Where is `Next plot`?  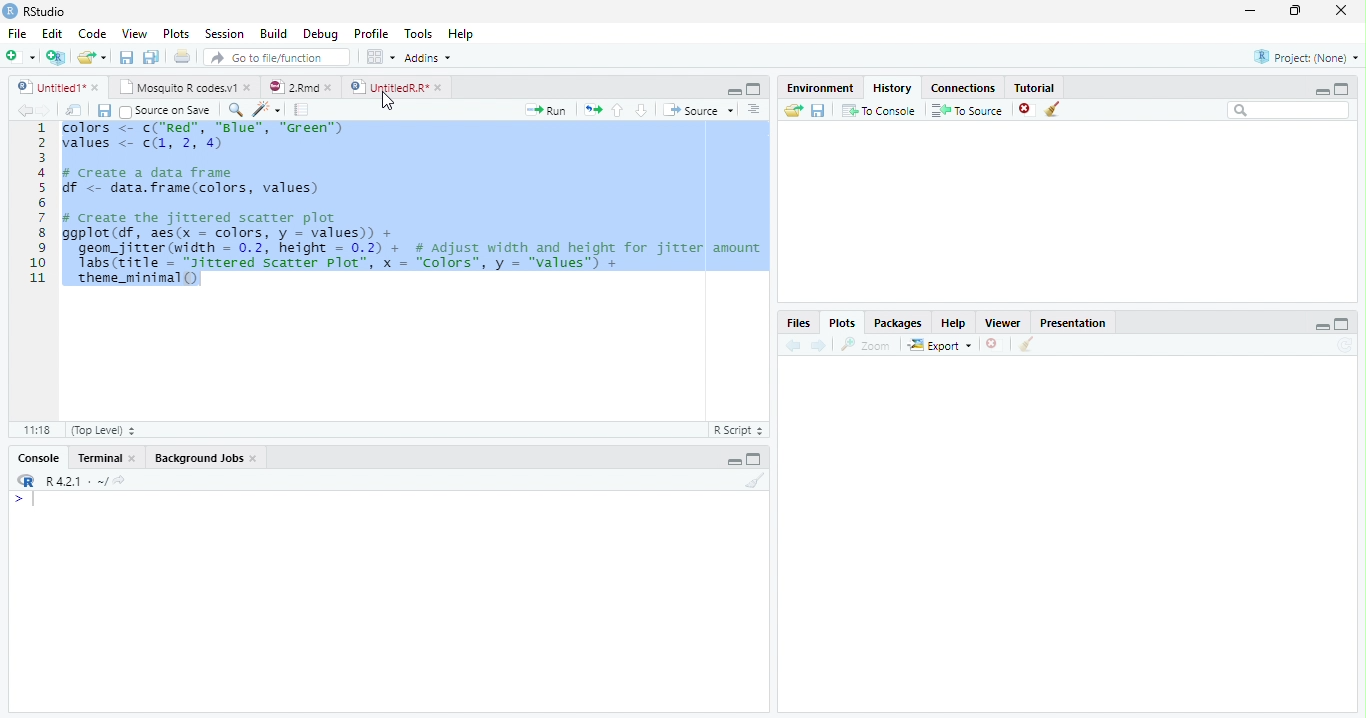
Next plot is located at coordinates (818, 345).